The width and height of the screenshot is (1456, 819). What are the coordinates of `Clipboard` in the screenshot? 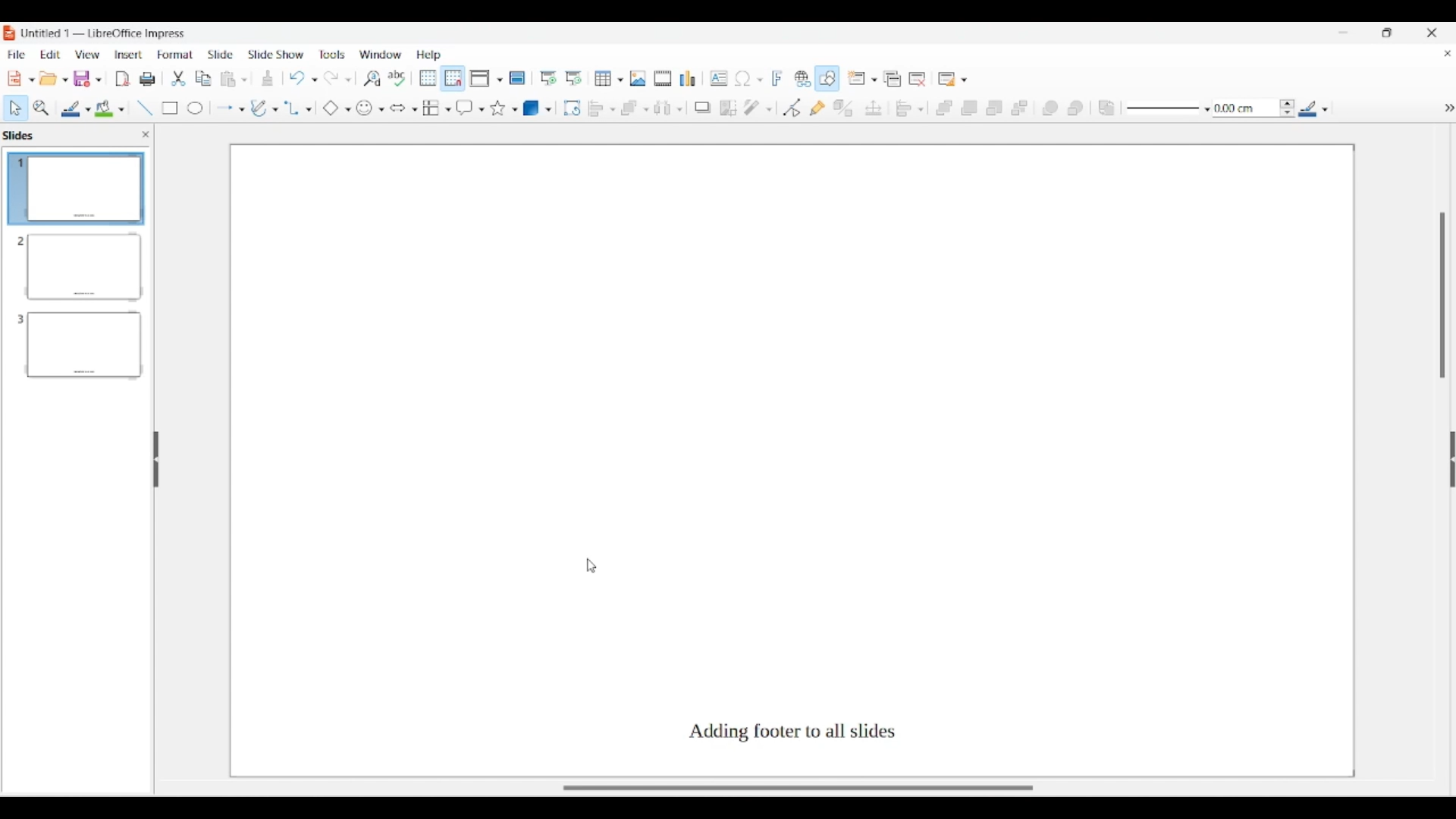 It's located at (229, 79).